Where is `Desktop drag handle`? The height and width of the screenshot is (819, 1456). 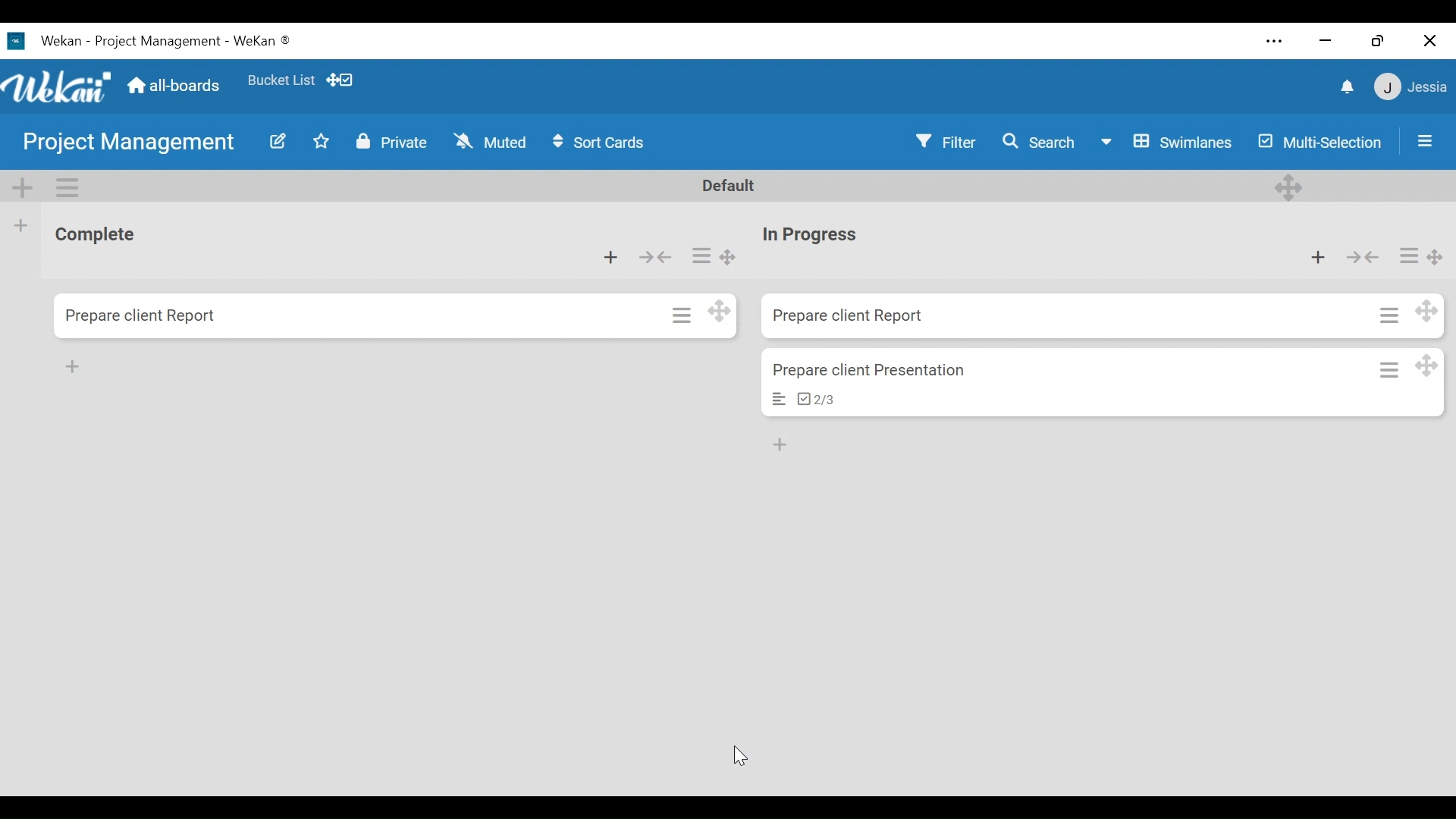
Desktop drag handle is located at coordinates (733, 257).